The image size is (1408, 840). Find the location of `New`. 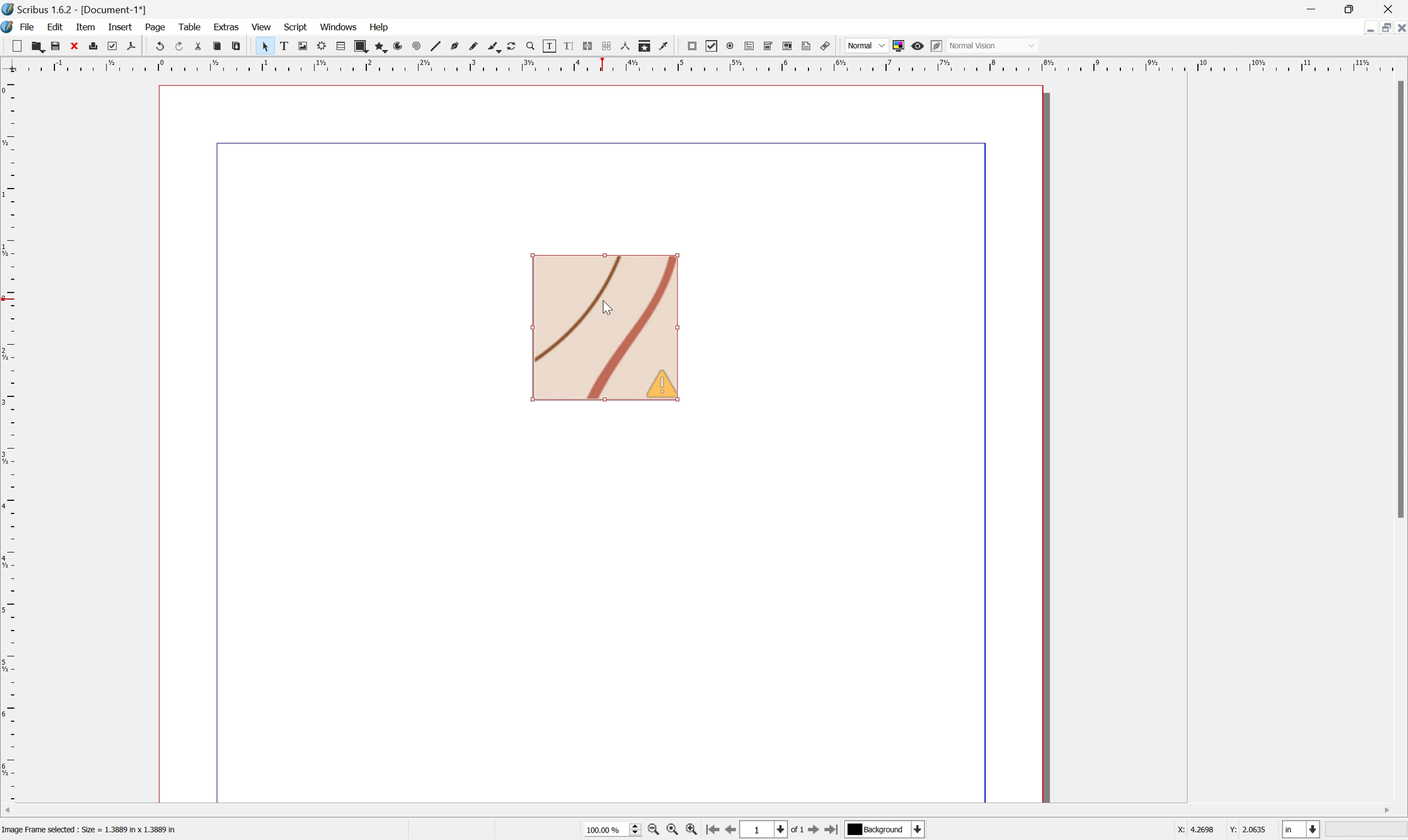

New is located at coordinates (38, 48).